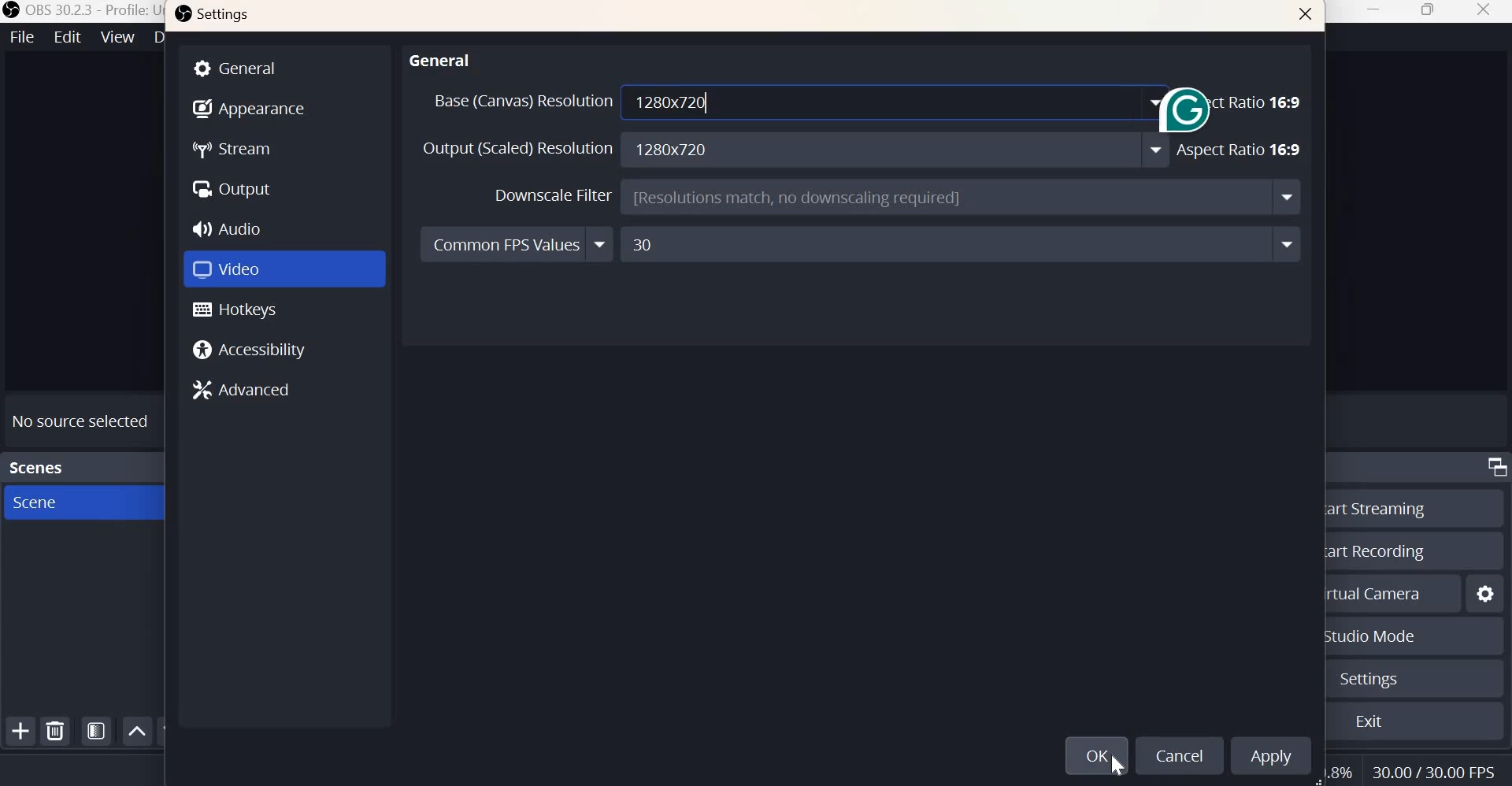 This screenshot has height=786, width=1512. I want to click on Exit, so click(1369, 723).